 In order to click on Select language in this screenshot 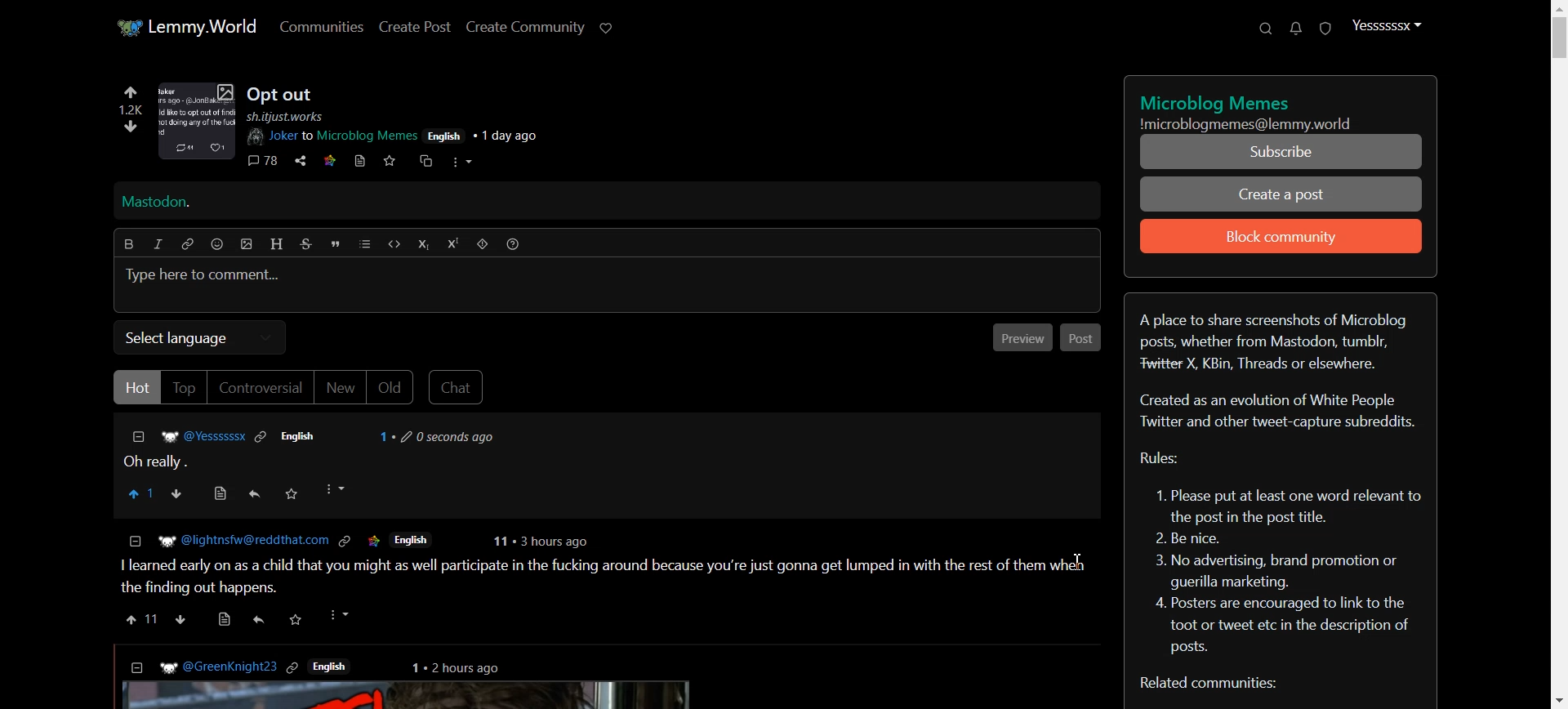, I will do `click(201, 336)`.